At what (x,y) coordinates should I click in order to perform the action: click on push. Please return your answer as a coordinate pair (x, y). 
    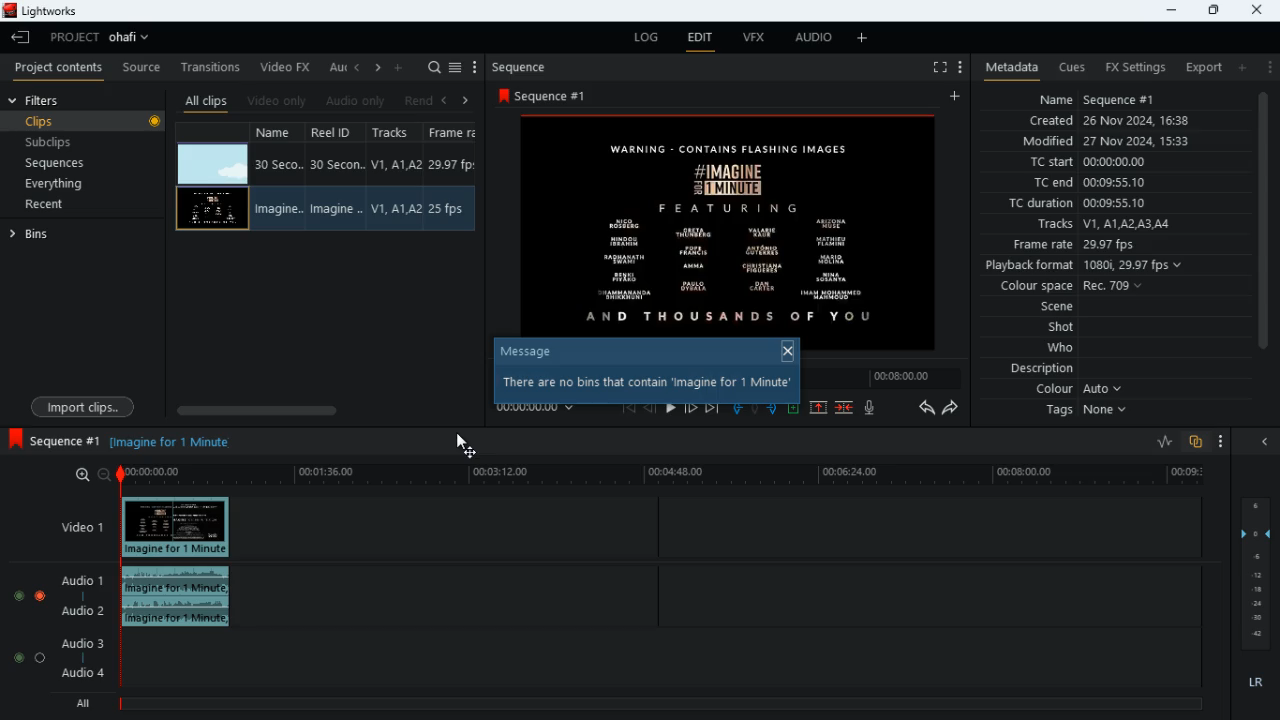
    Looking at the image, I should click on (773, 409).